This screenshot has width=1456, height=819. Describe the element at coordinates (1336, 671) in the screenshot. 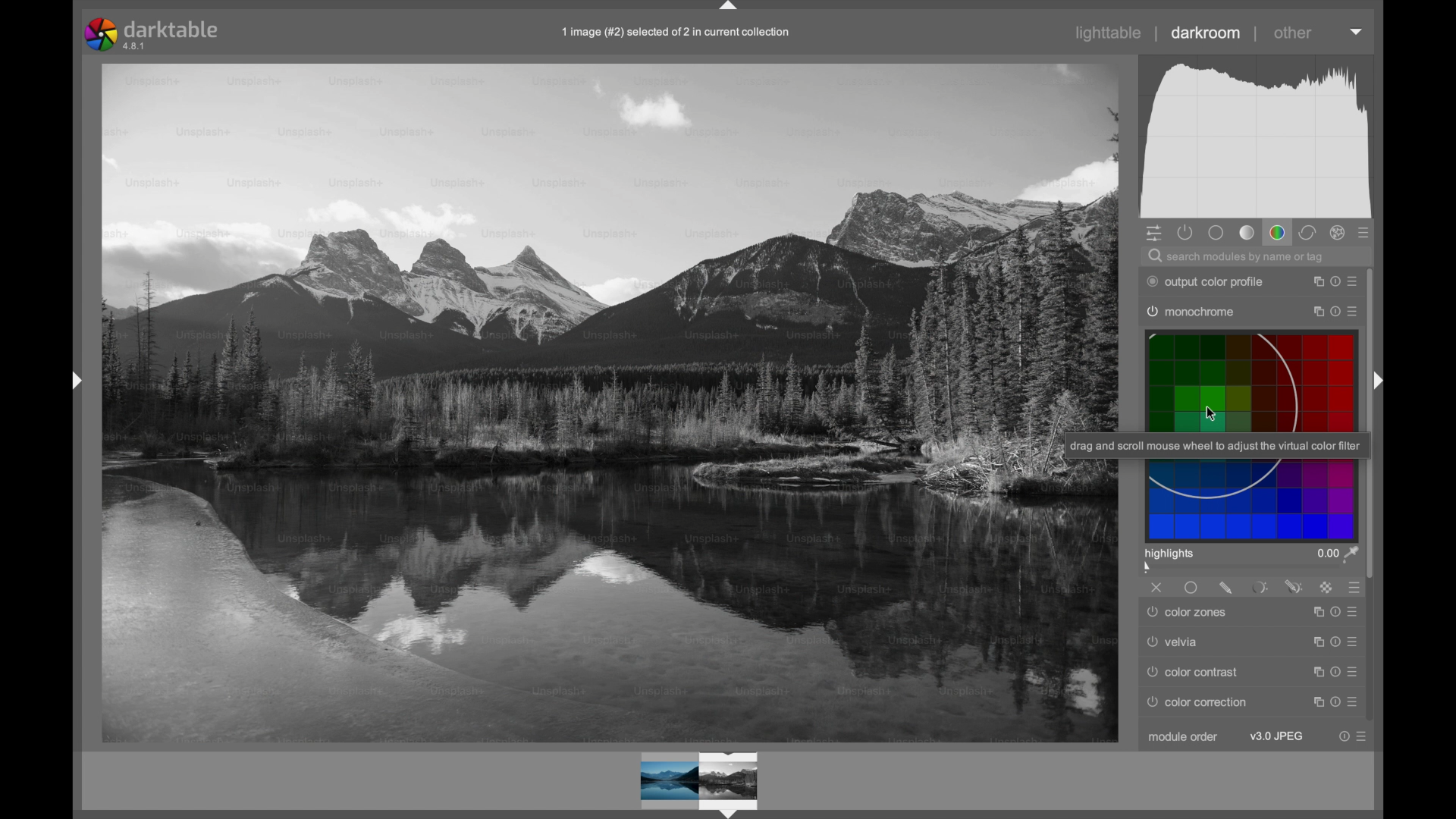

I see `reset` at that location.